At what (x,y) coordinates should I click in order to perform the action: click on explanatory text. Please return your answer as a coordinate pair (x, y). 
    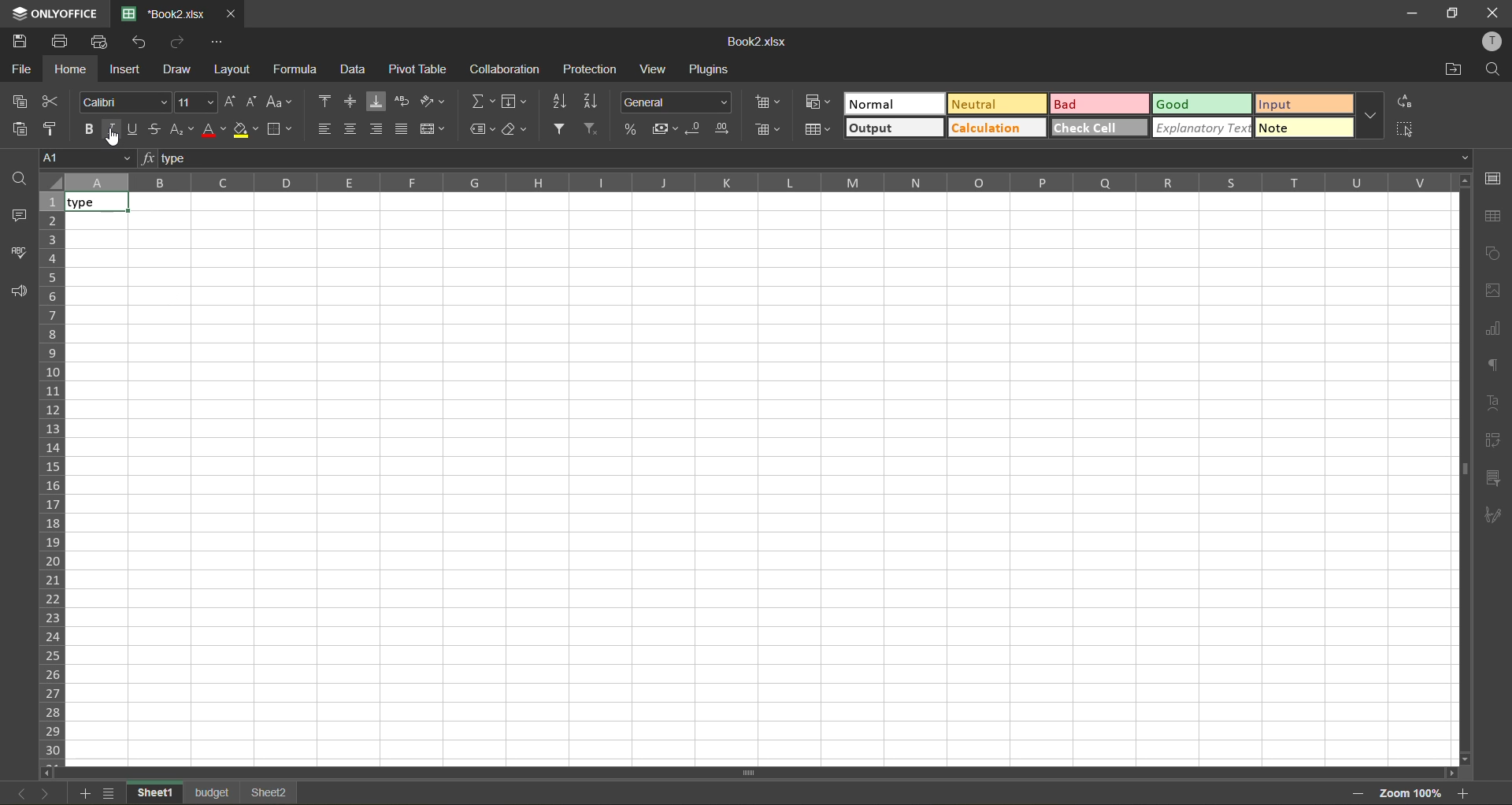
    Looking at the image, I should click on (1201, 128).